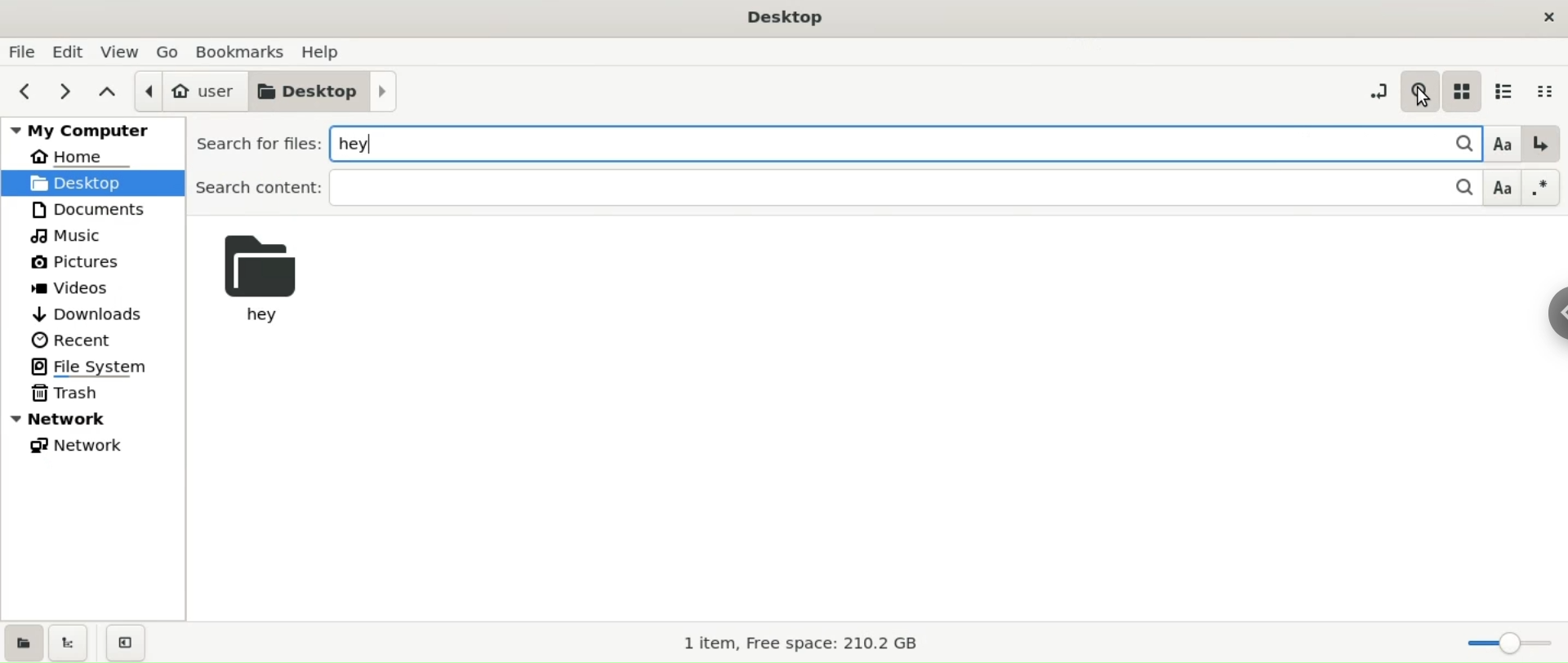 This screenshot has height=663, width=1568. I want to click on file , so click(23, 52).